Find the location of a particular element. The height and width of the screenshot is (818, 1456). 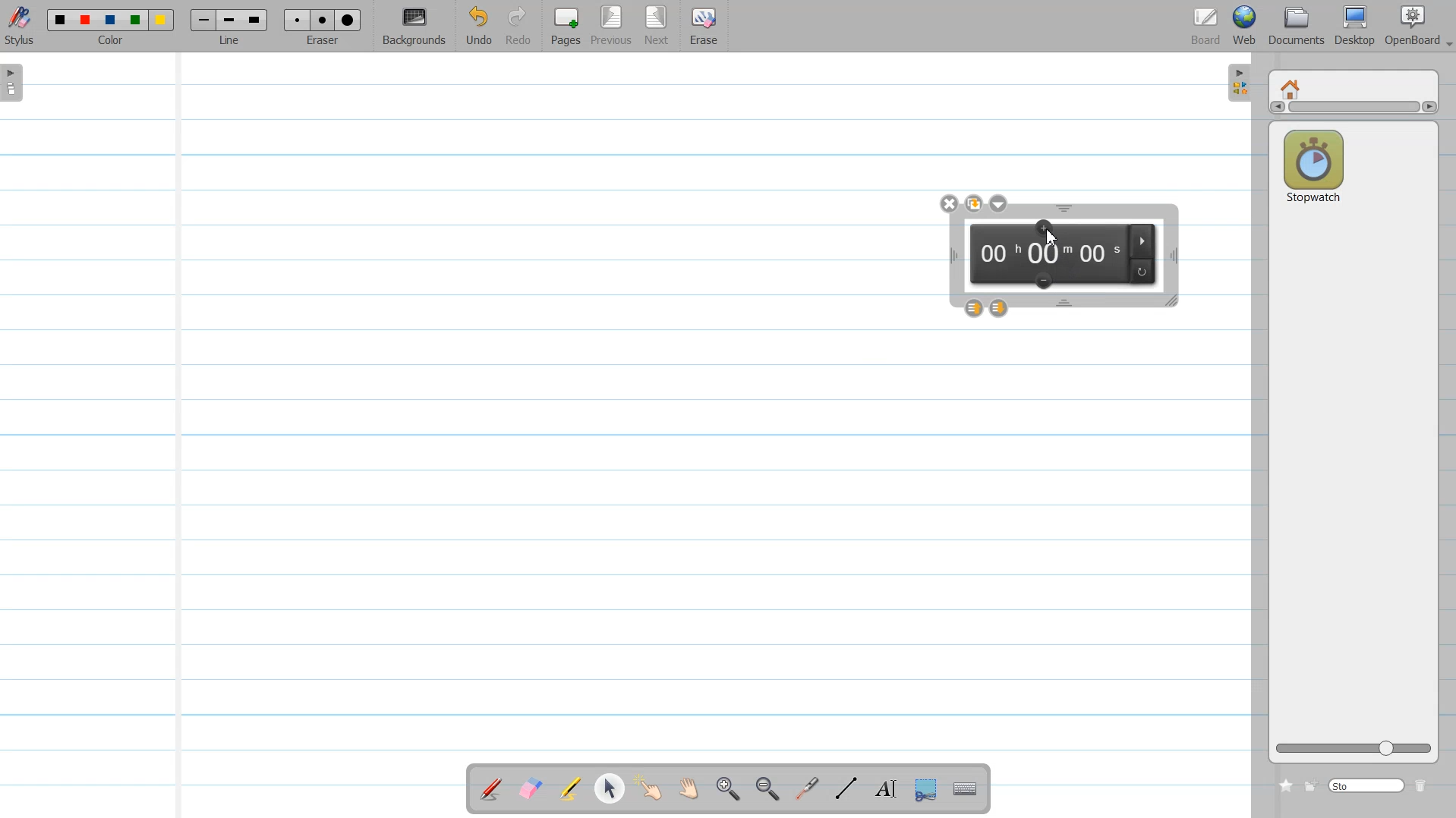

Select and modify object is located at coordinates (609, 788).